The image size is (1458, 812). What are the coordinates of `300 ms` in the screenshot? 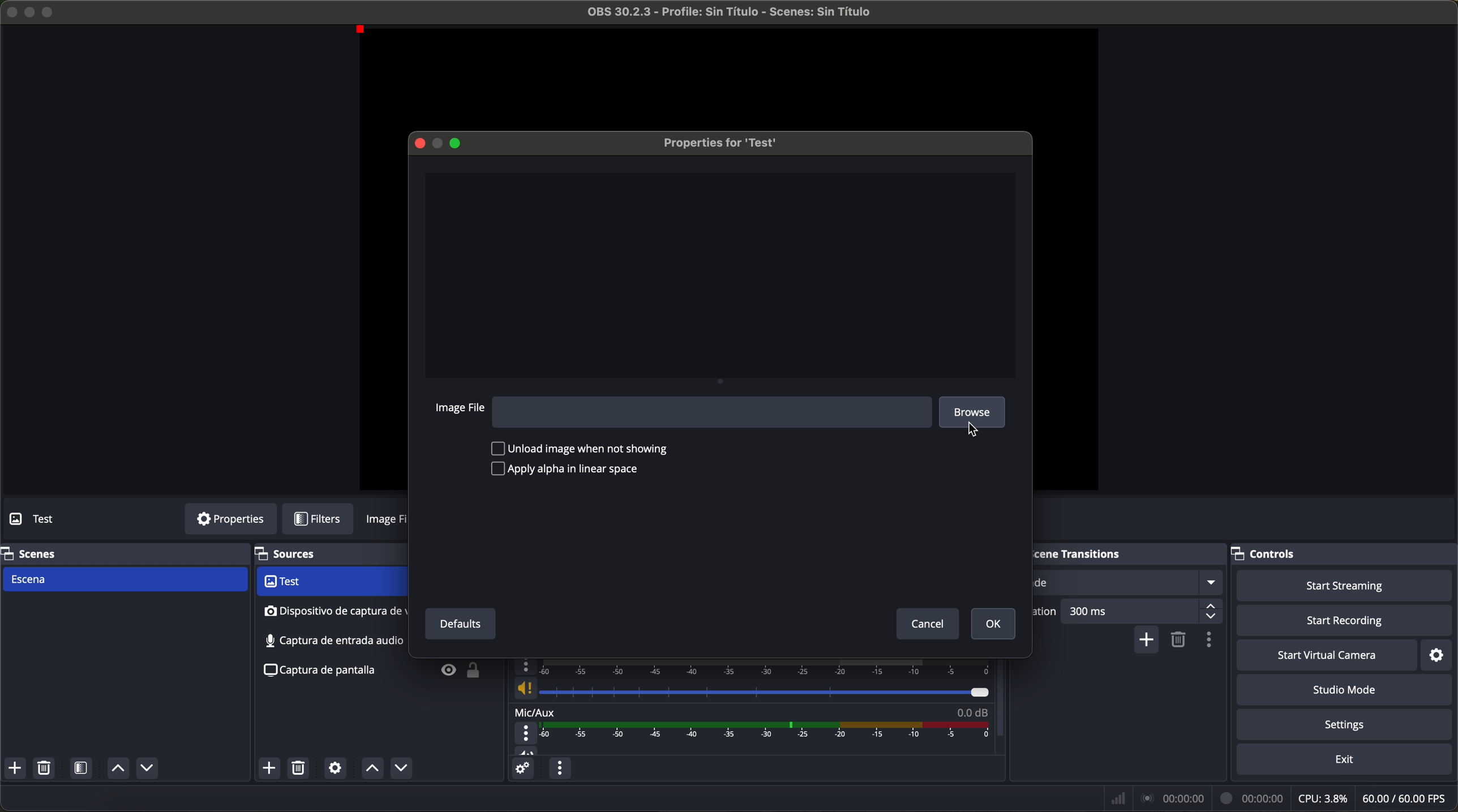 It's located at (1143, 613).